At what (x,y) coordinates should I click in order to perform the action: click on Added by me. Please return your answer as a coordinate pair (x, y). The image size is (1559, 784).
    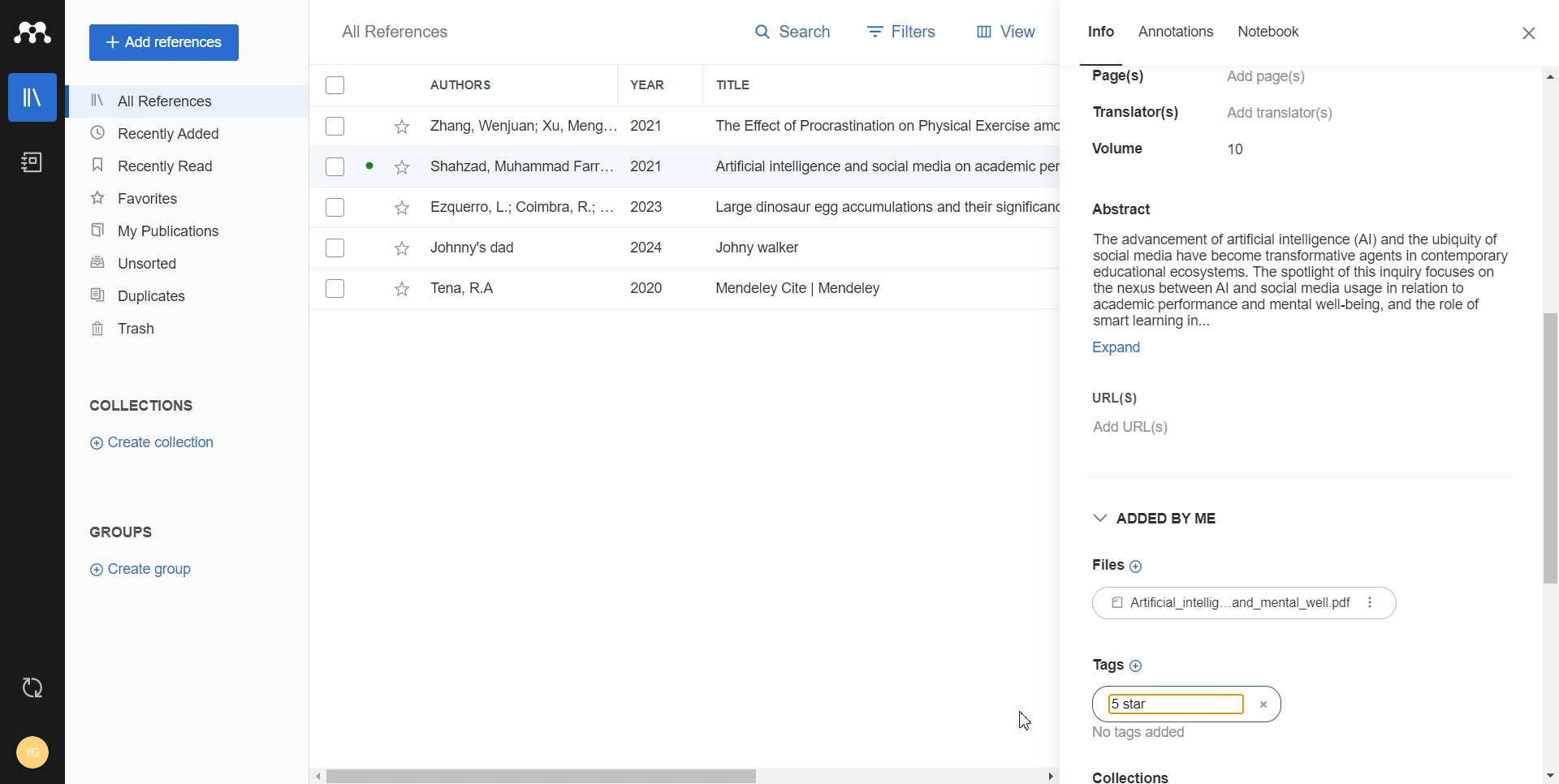
    Looking at the image, I should click on (1165, 518).